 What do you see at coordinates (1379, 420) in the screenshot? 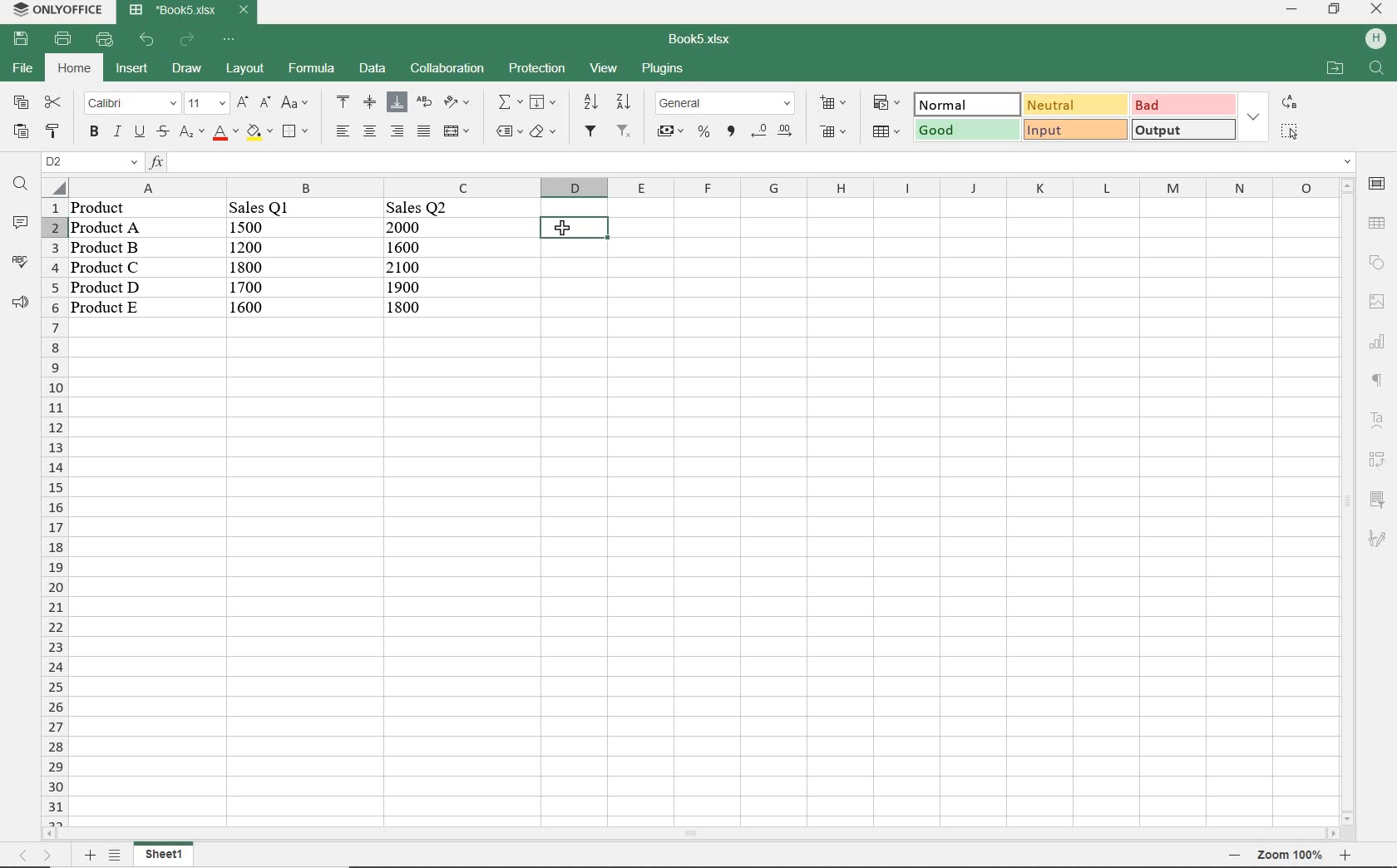
I see `text art` at bounding box center [1379, 420].